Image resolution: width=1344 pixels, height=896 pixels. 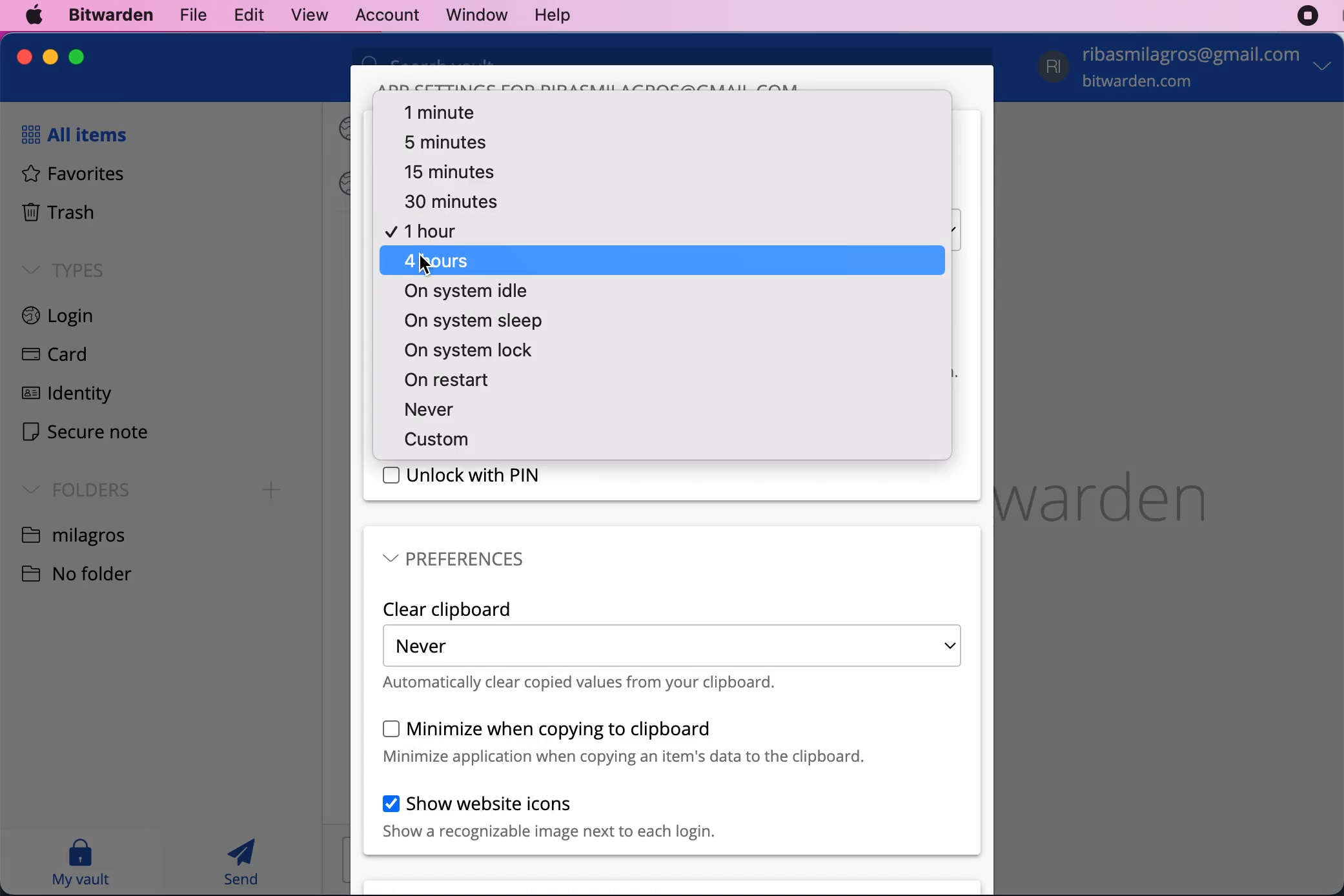 I want to click on app settings, so click(x=589, y=84).